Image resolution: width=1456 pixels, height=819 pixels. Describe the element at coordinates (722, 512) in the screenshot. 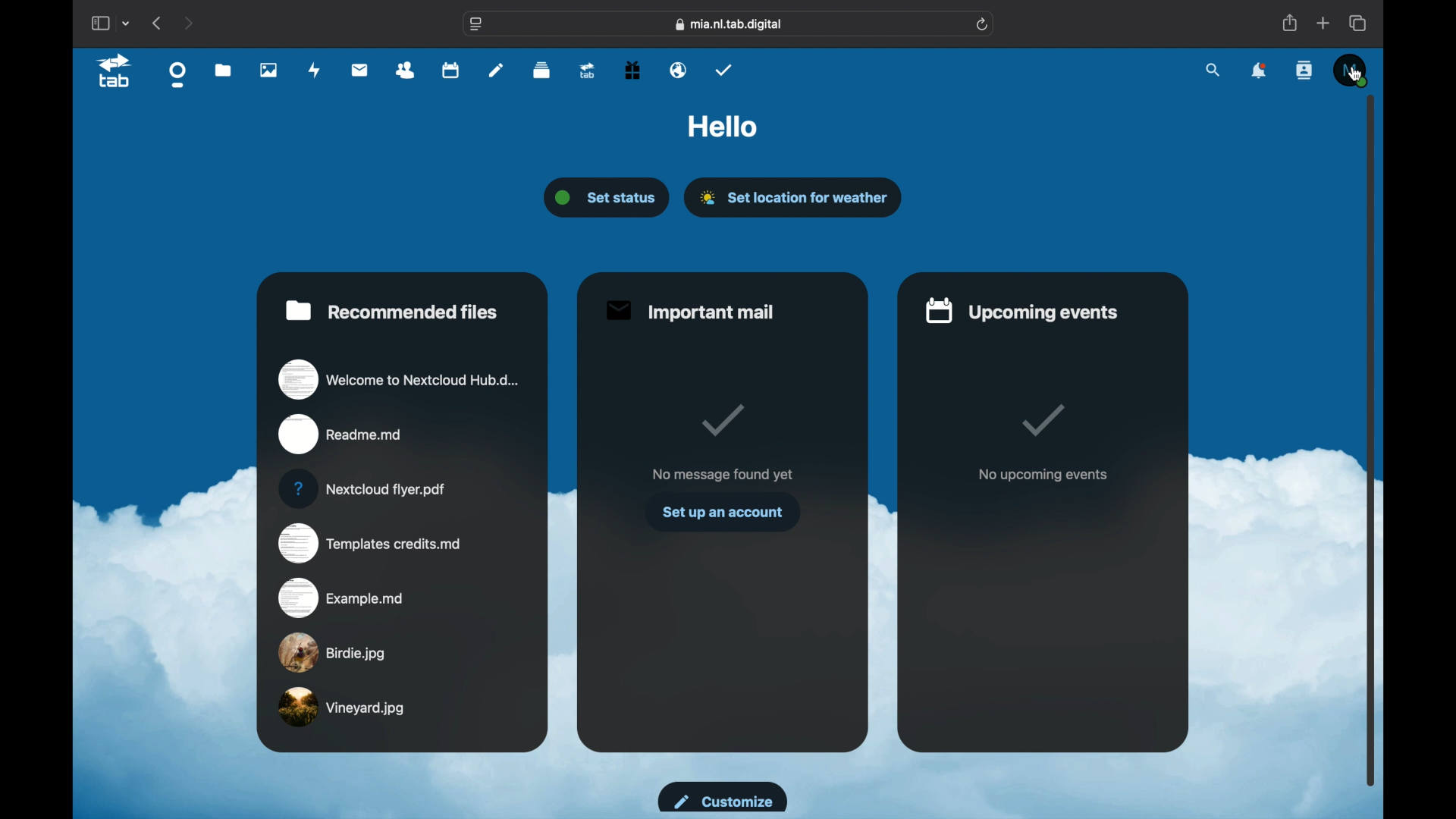

I see `set up an account` at that location.